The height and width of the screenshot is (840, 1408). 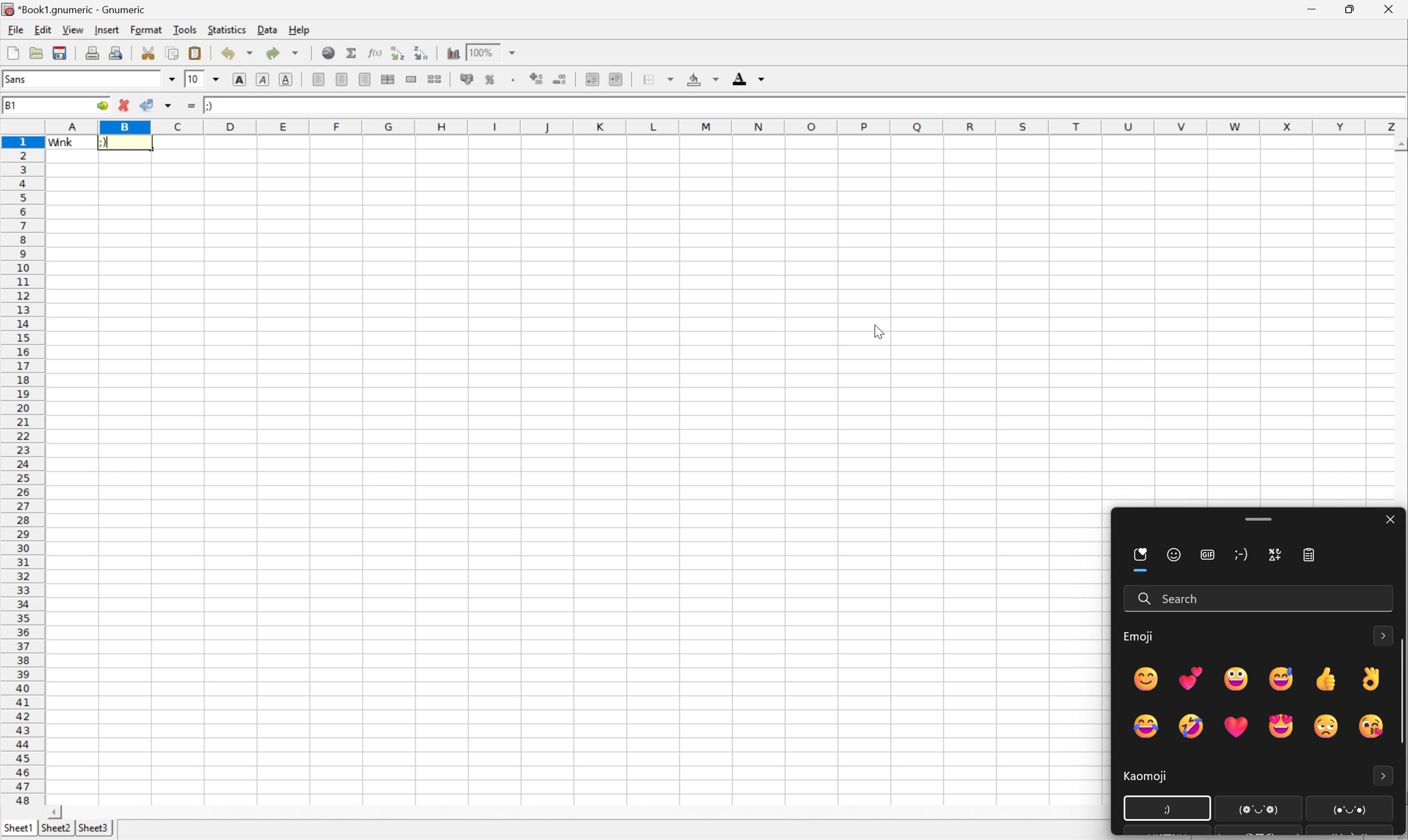 I want to click on cursor, so click(x=877, y=333).